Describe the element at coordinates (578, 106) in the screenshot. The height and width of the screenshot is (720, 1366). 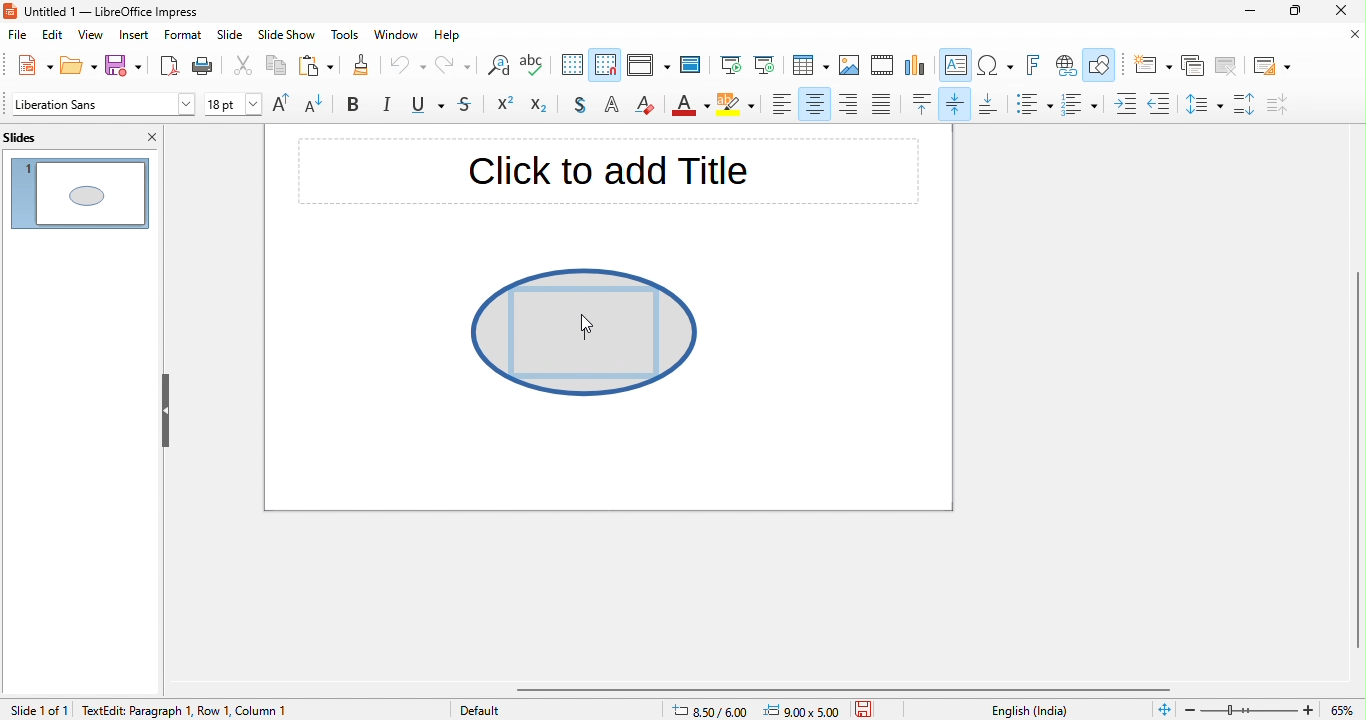
I see `toggle shadow` at that location.